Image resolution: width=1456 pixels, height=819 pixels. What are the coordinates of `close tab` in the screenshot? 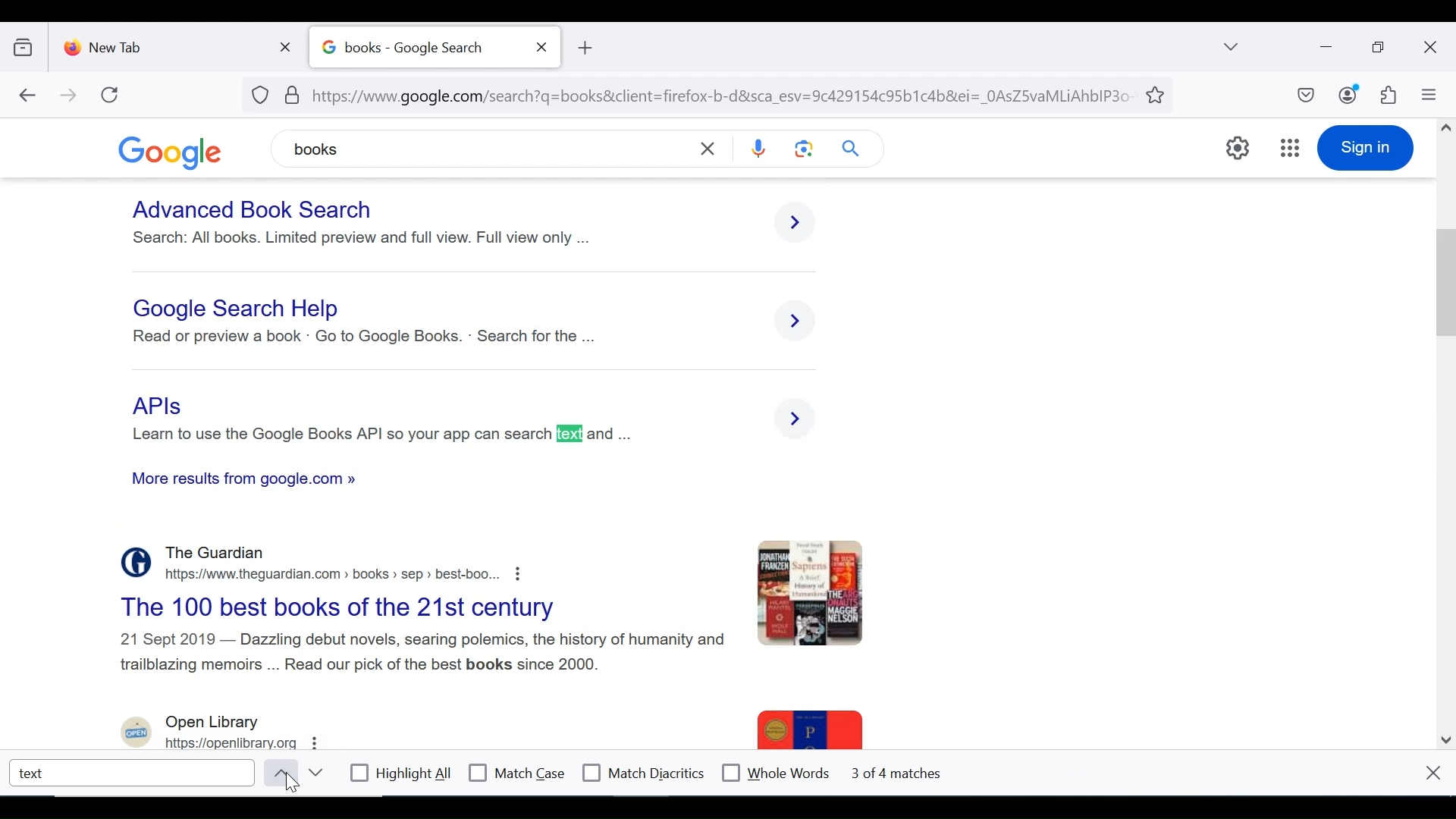 It's located at (289, 44).